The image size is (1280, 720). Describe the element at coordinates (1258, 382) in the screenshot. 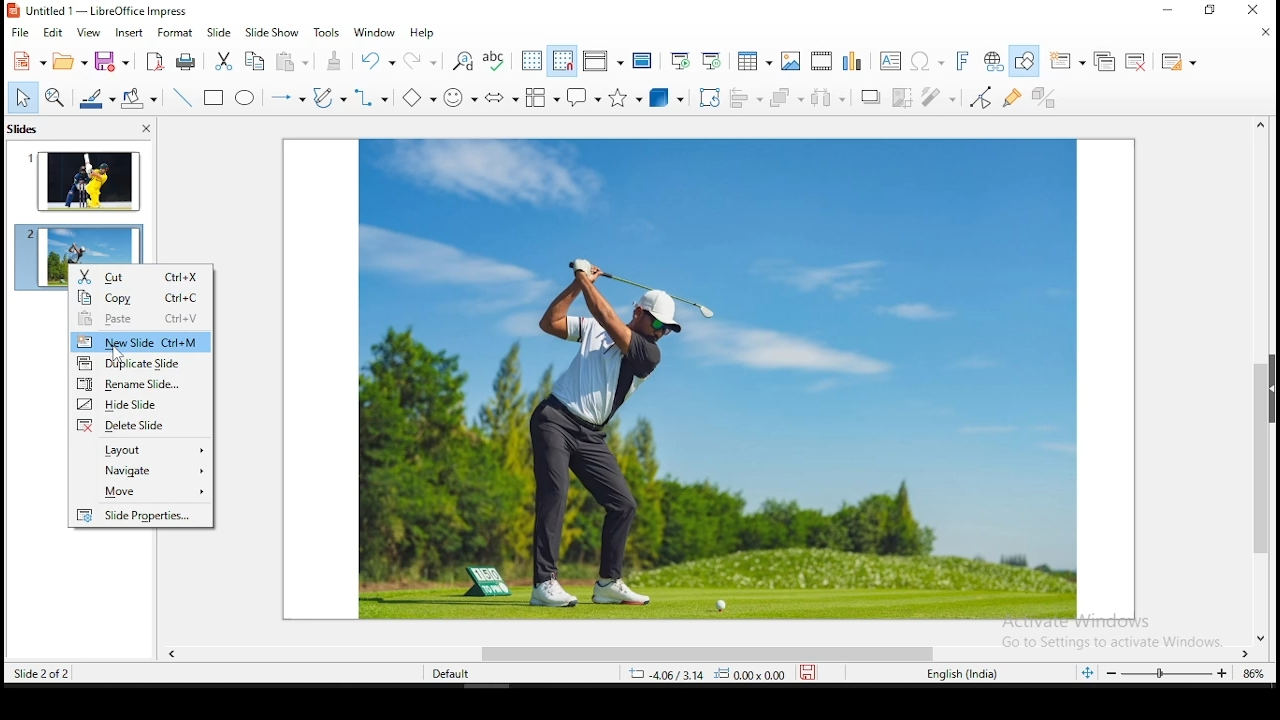

I see `scroll bar` at that location.